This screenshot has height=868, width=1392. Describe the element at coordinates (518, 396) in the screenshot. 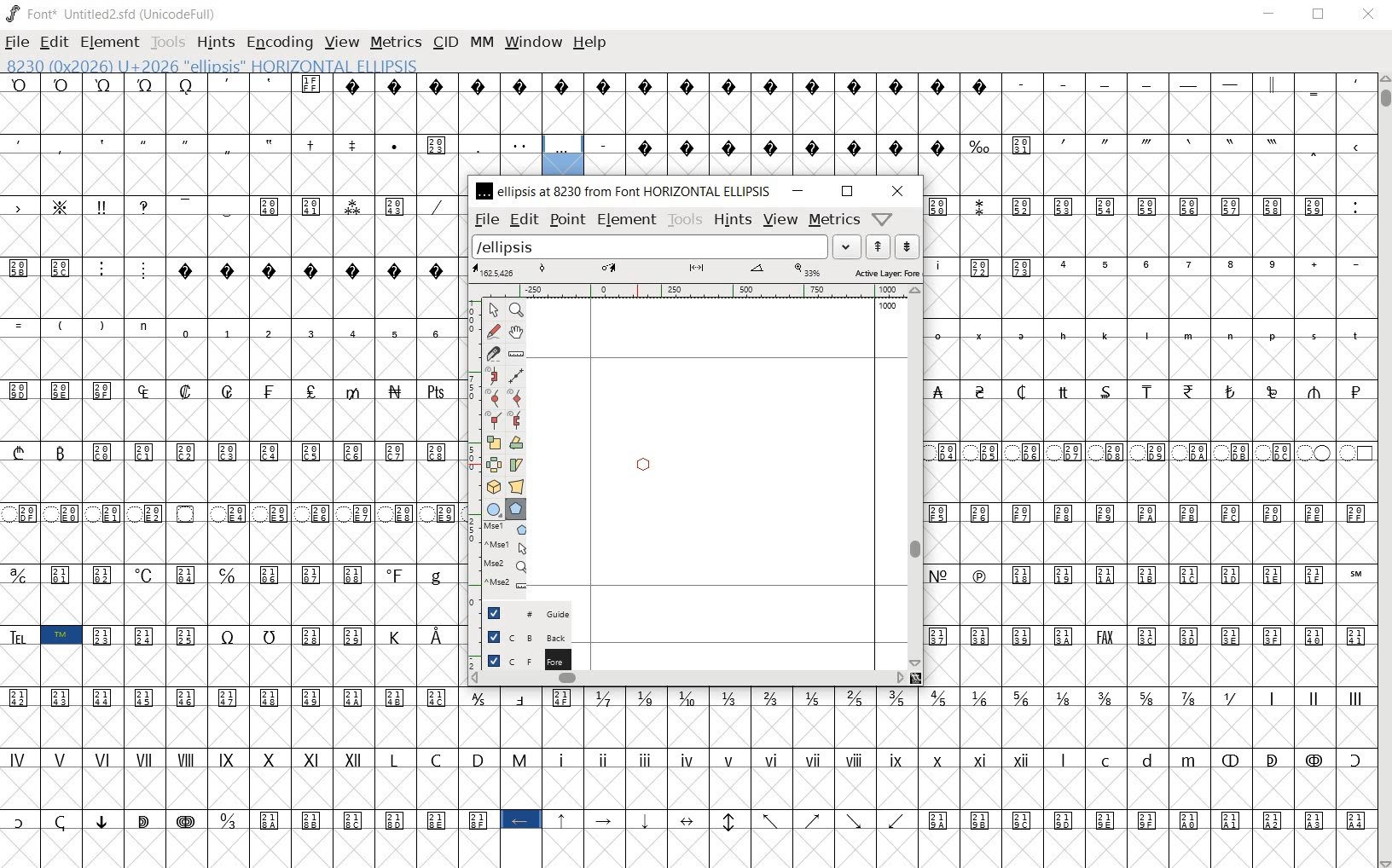

I see `add a curve point always either horizontal or vertical` at that location.